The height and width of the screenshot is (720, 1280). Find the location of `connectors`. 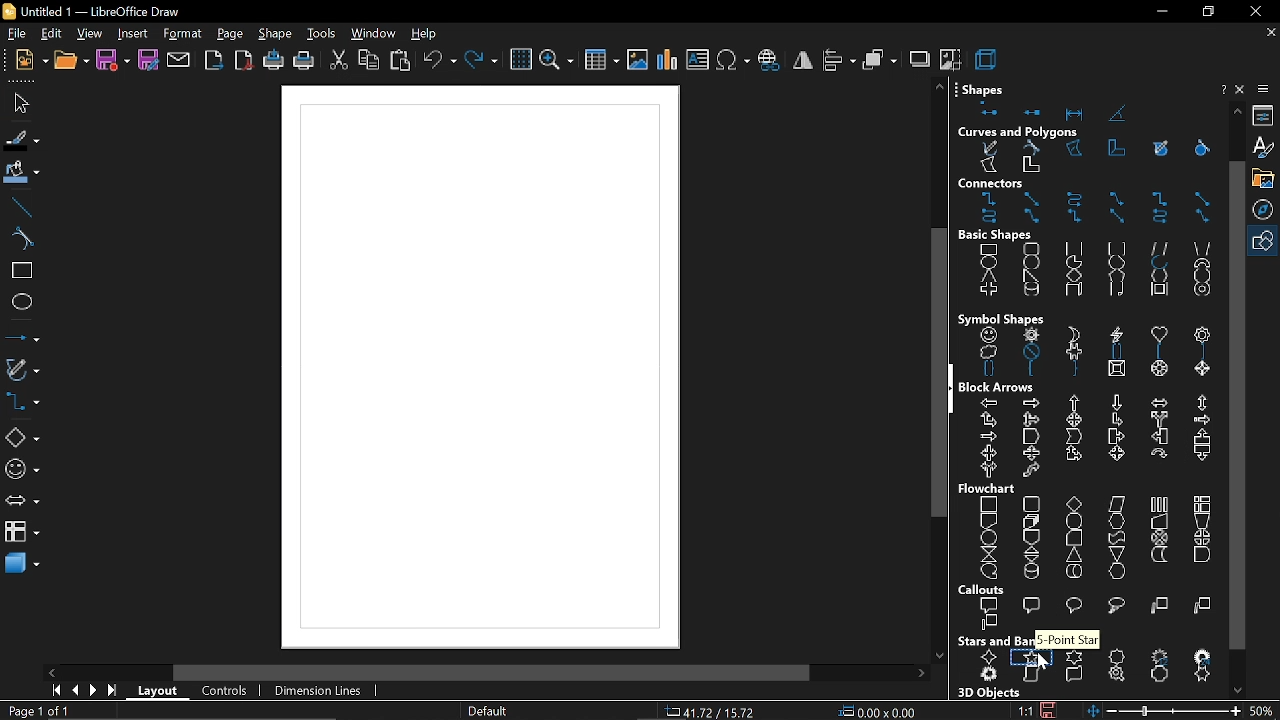

connectors is located at coordinates (992, 182).